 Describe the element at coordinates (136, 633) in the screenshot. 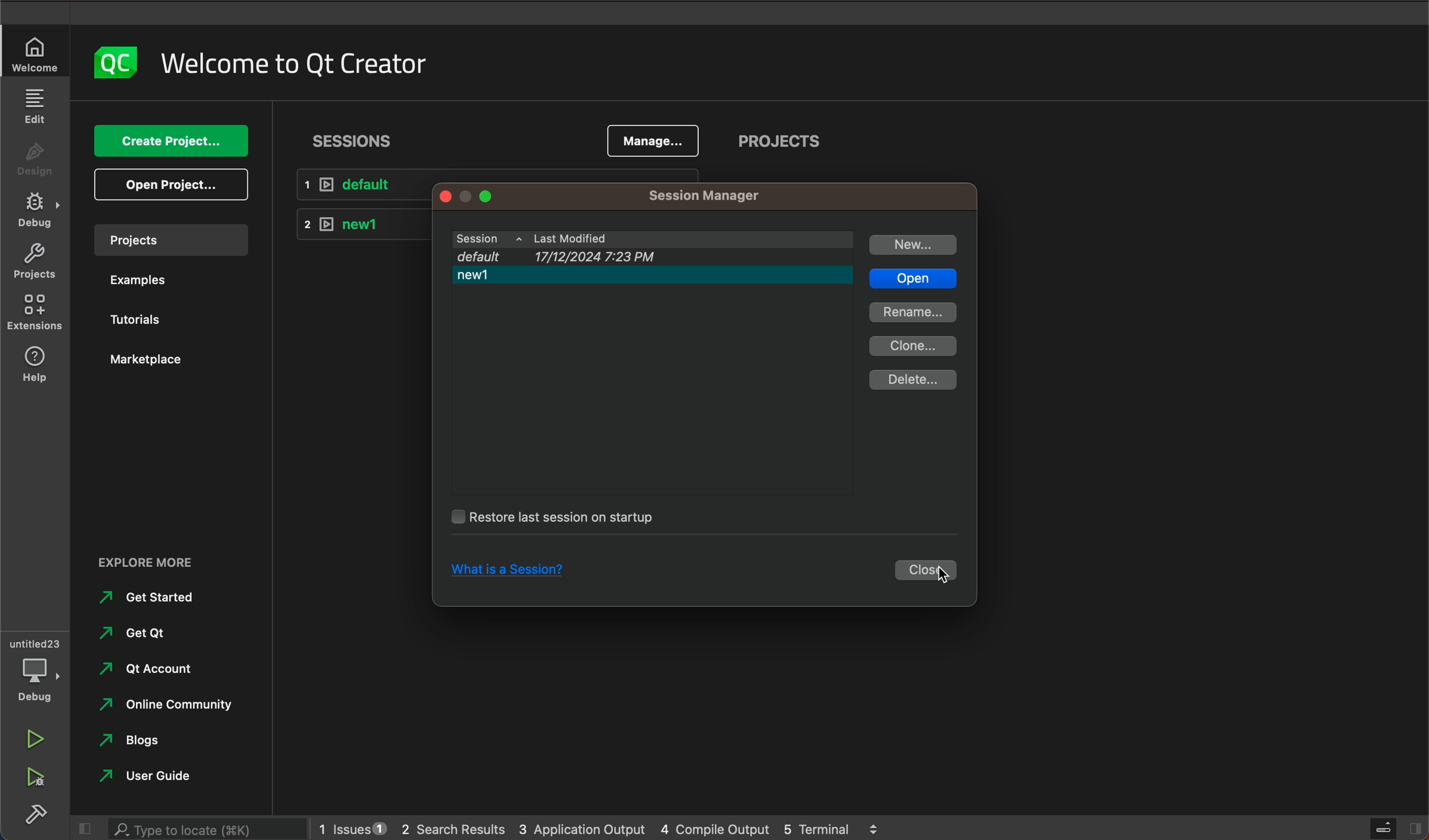

I see `get qt` at that location.